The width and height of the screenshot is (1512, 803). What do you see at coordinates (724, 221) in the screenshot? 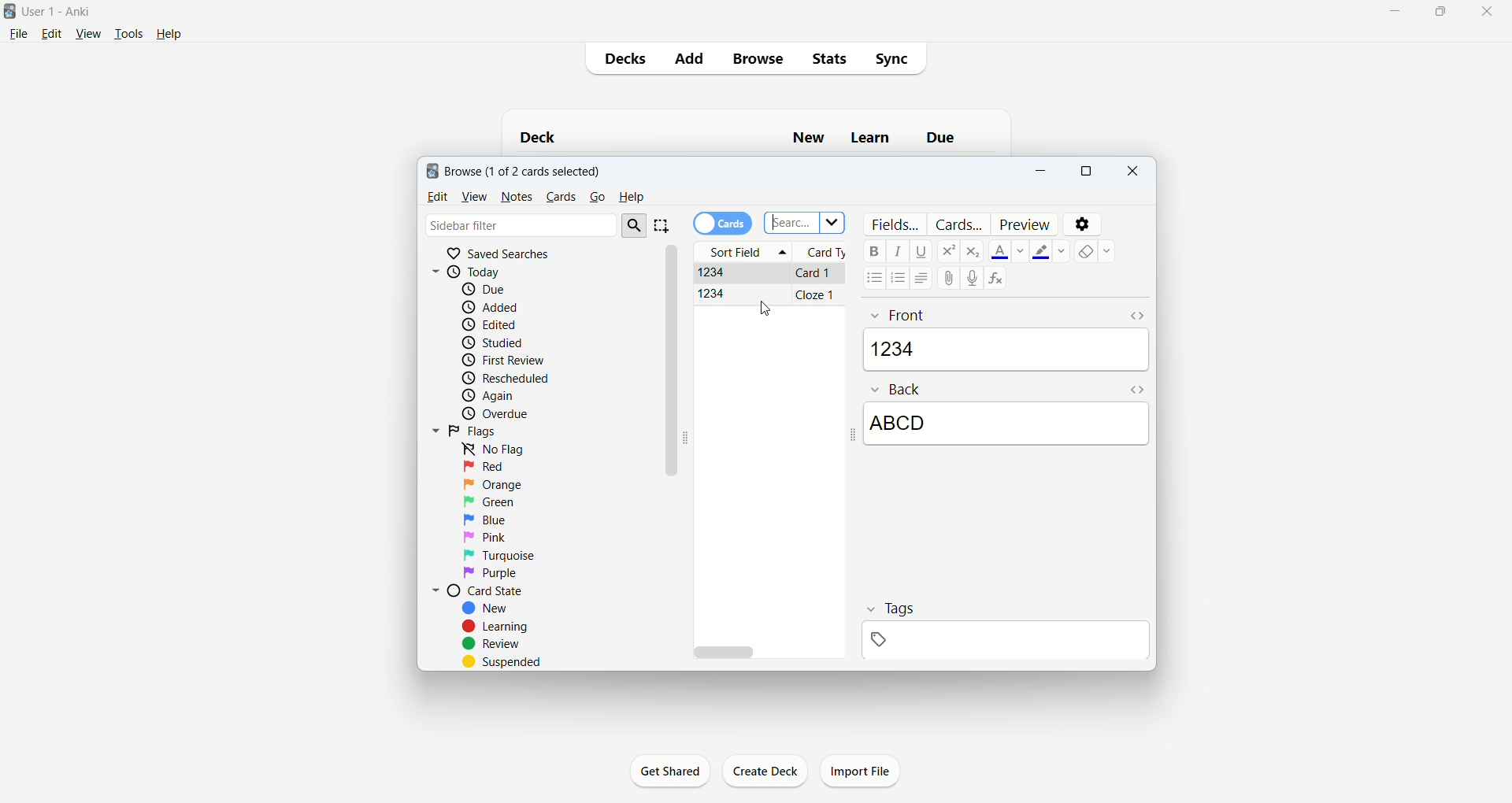
I see `cards` at bounding box center [724, 221].